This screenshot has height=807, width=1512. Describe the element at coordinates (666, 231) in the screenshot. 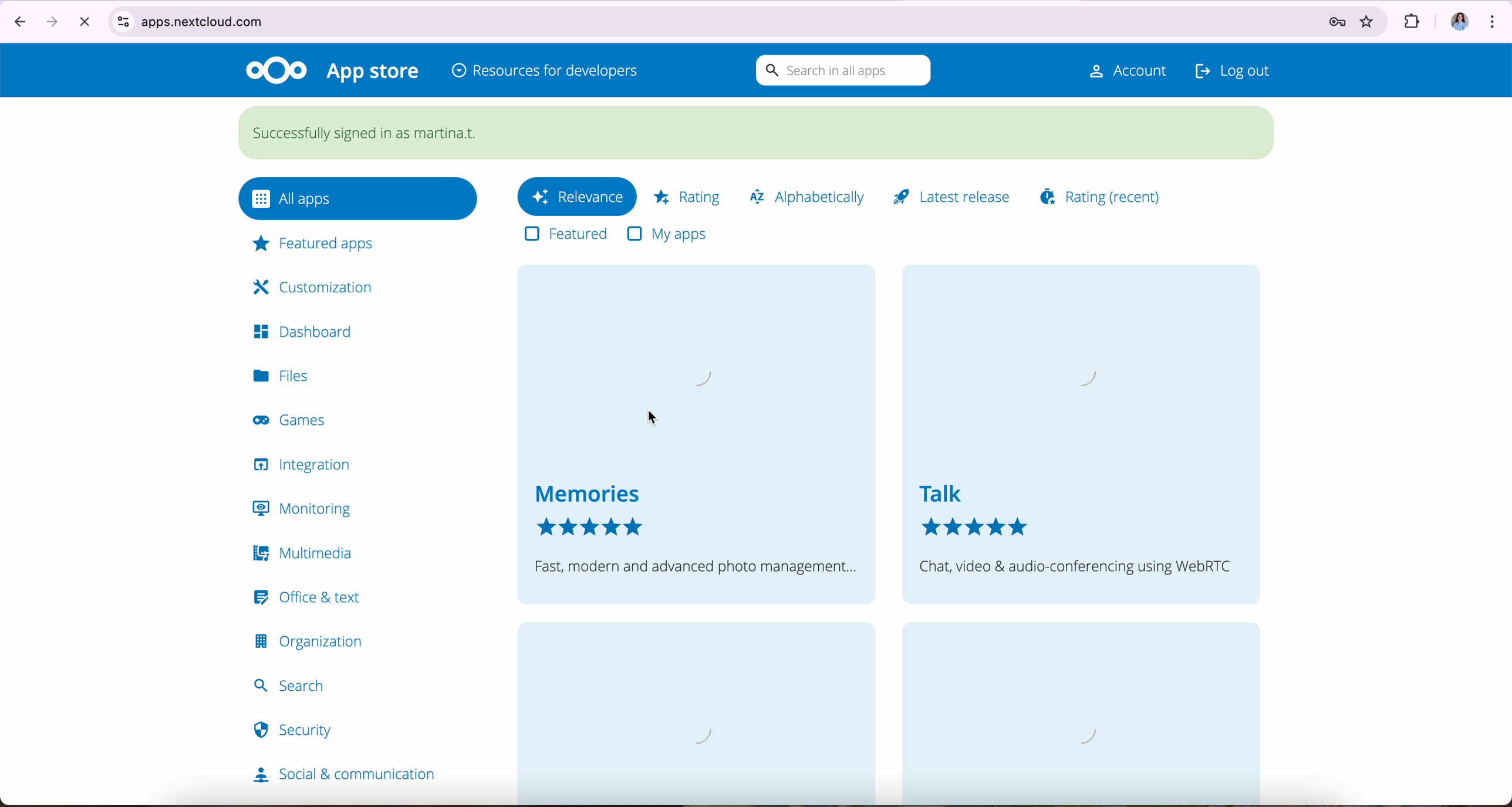

I see `my apps` at that location.